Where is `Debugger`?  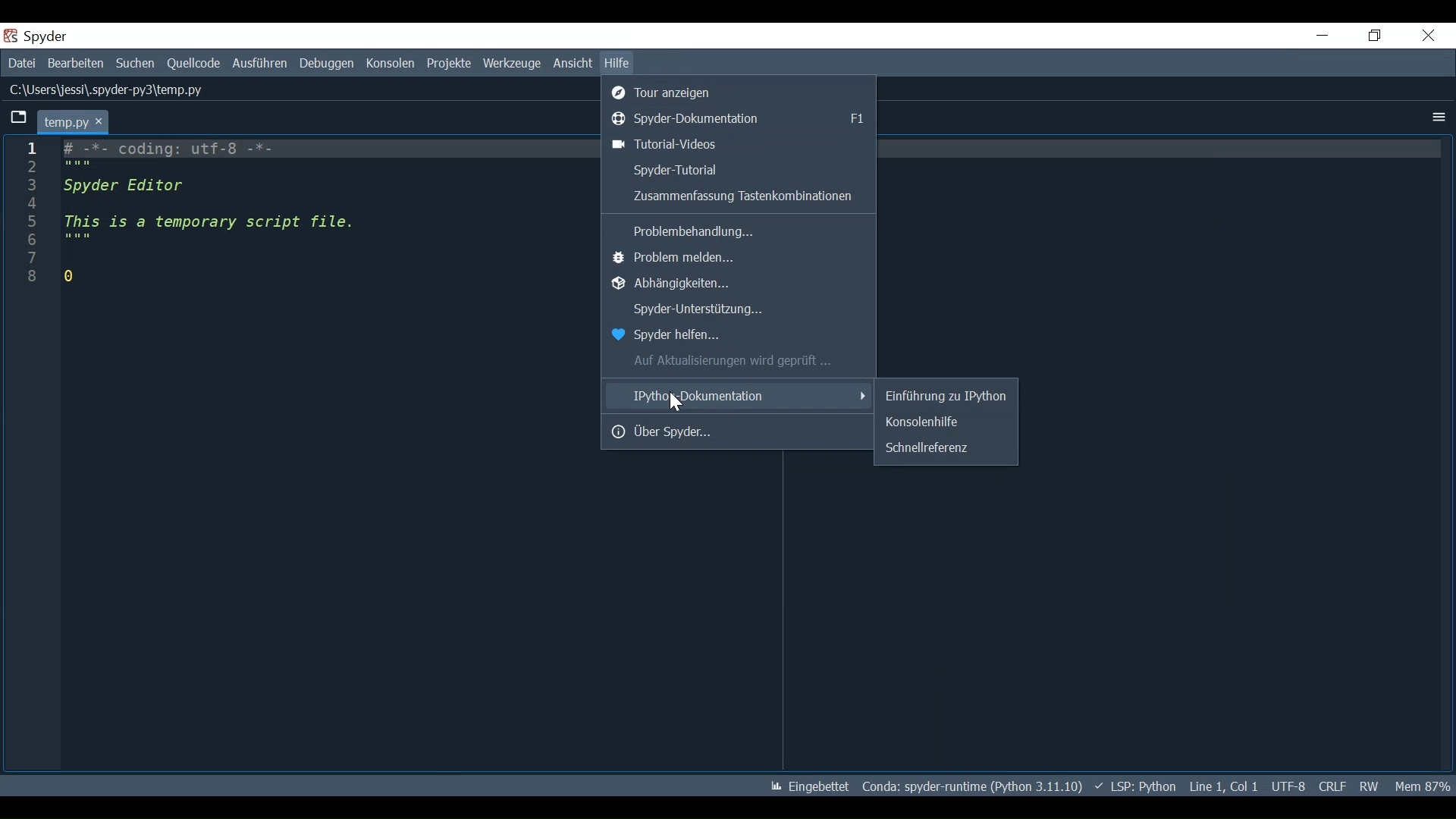
Debugger is located at coordinates (328, 63).